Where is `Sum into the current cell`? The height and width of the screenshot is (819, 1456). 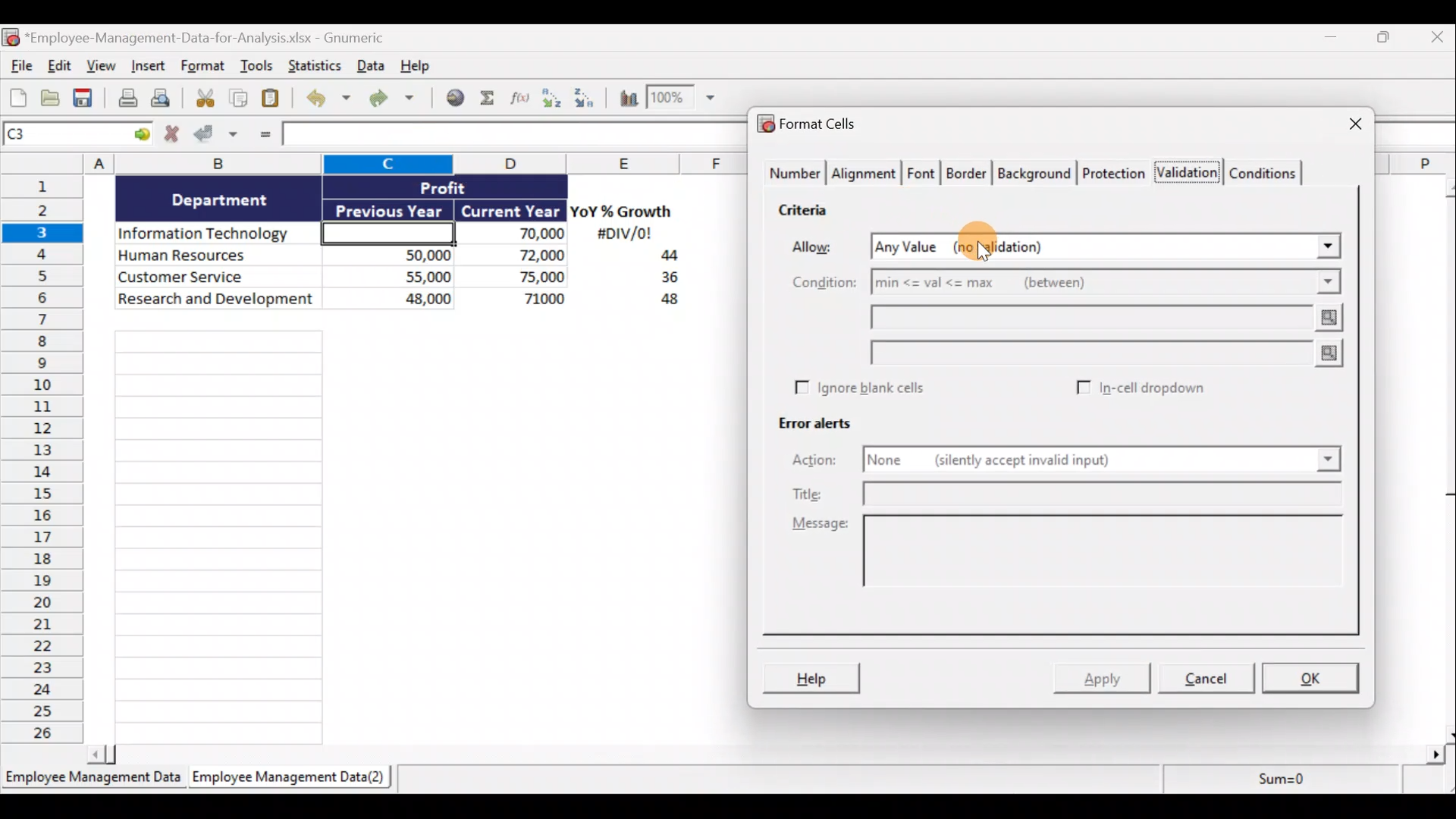 Sum into the current cell is located at coordinates (489, 99).